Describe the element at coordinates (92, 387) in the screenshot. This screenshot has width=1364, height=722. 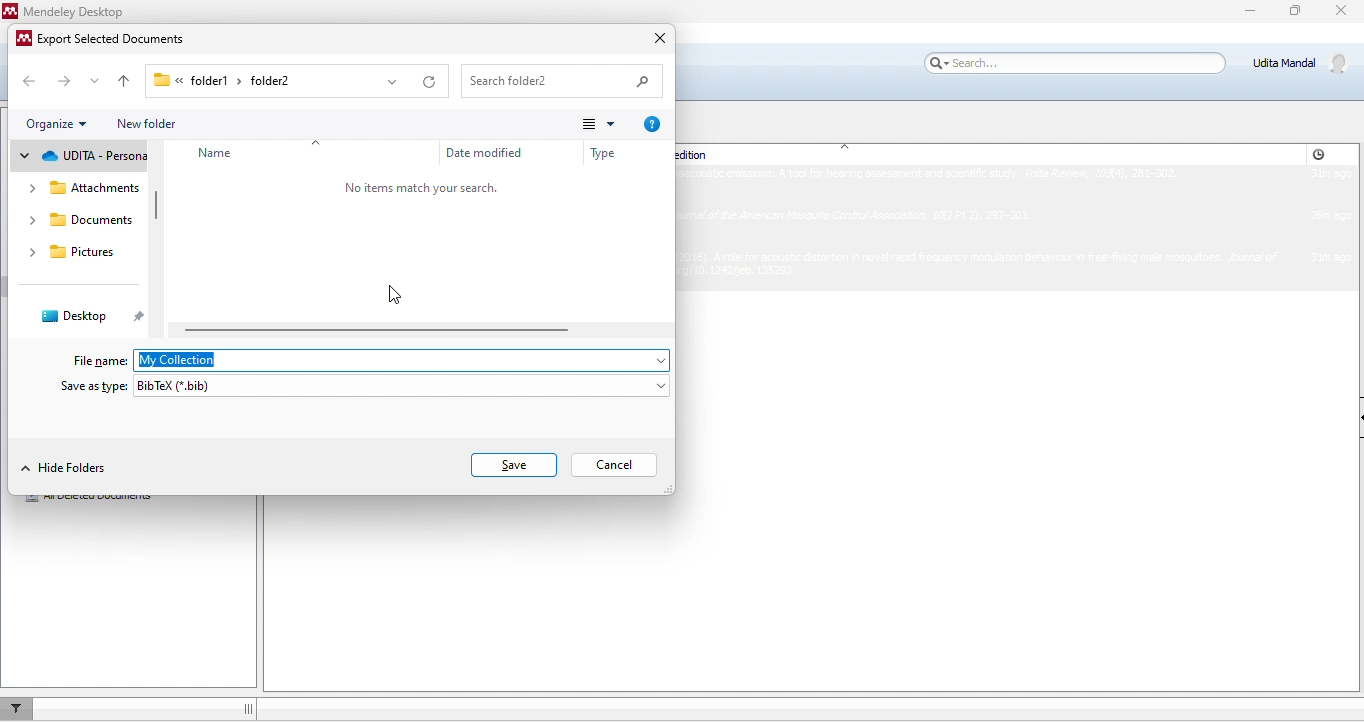
I see `save as type` at that location.